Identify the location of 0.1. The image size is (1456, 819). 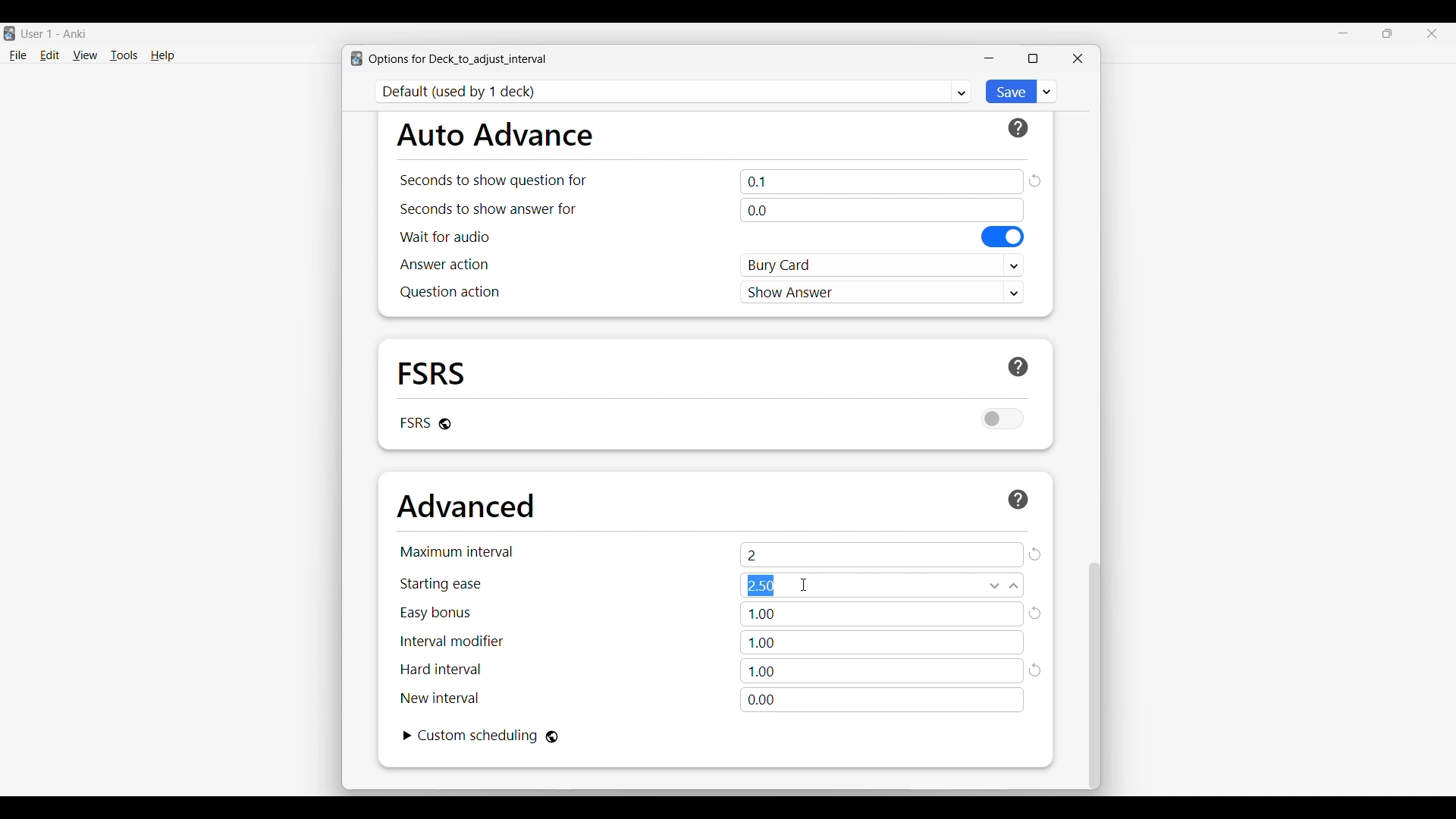
(882, 181).